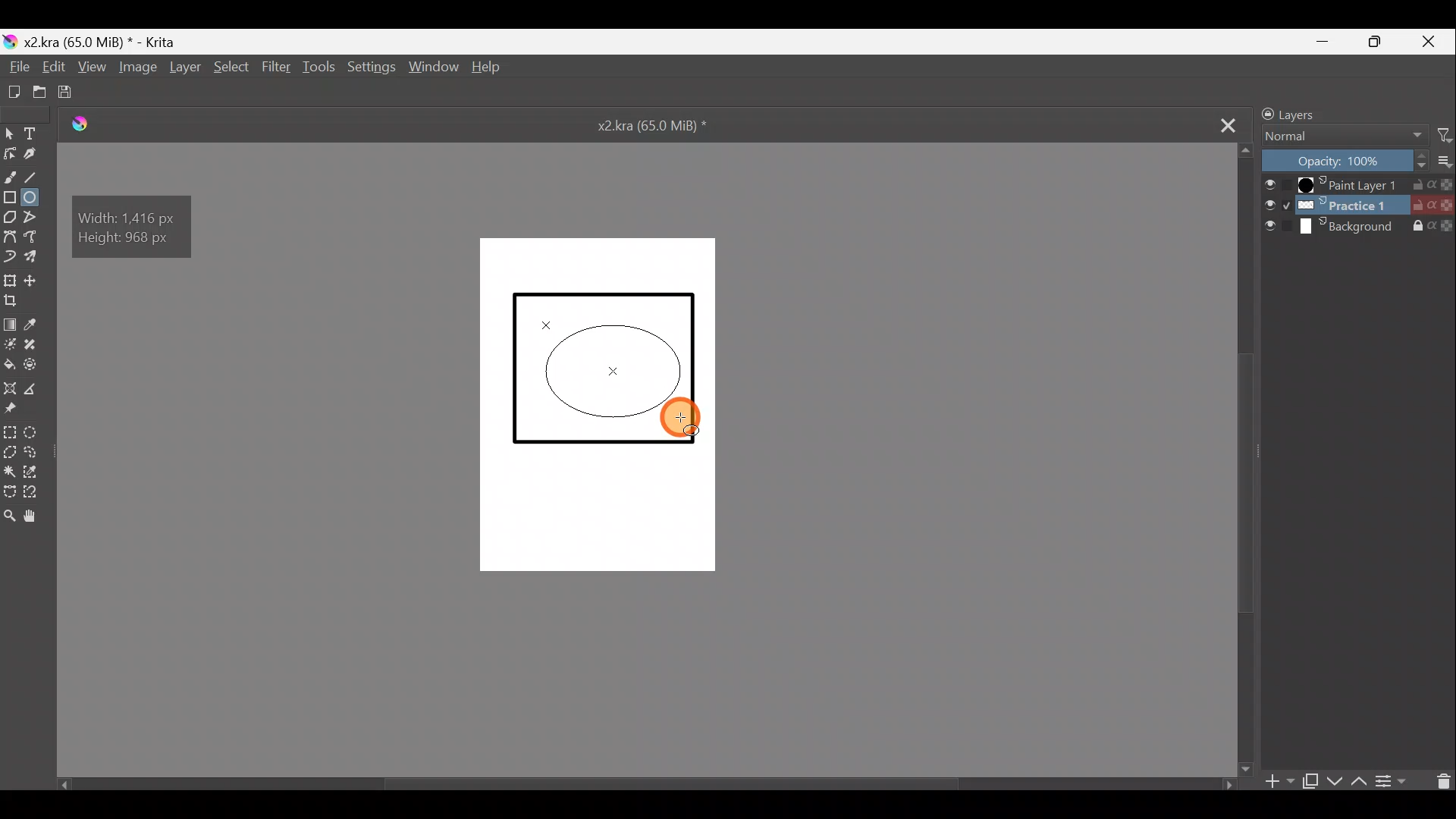 This screenshot has height=819, width=1456. I want to click on Freehand selection tool, so click(33, 452).